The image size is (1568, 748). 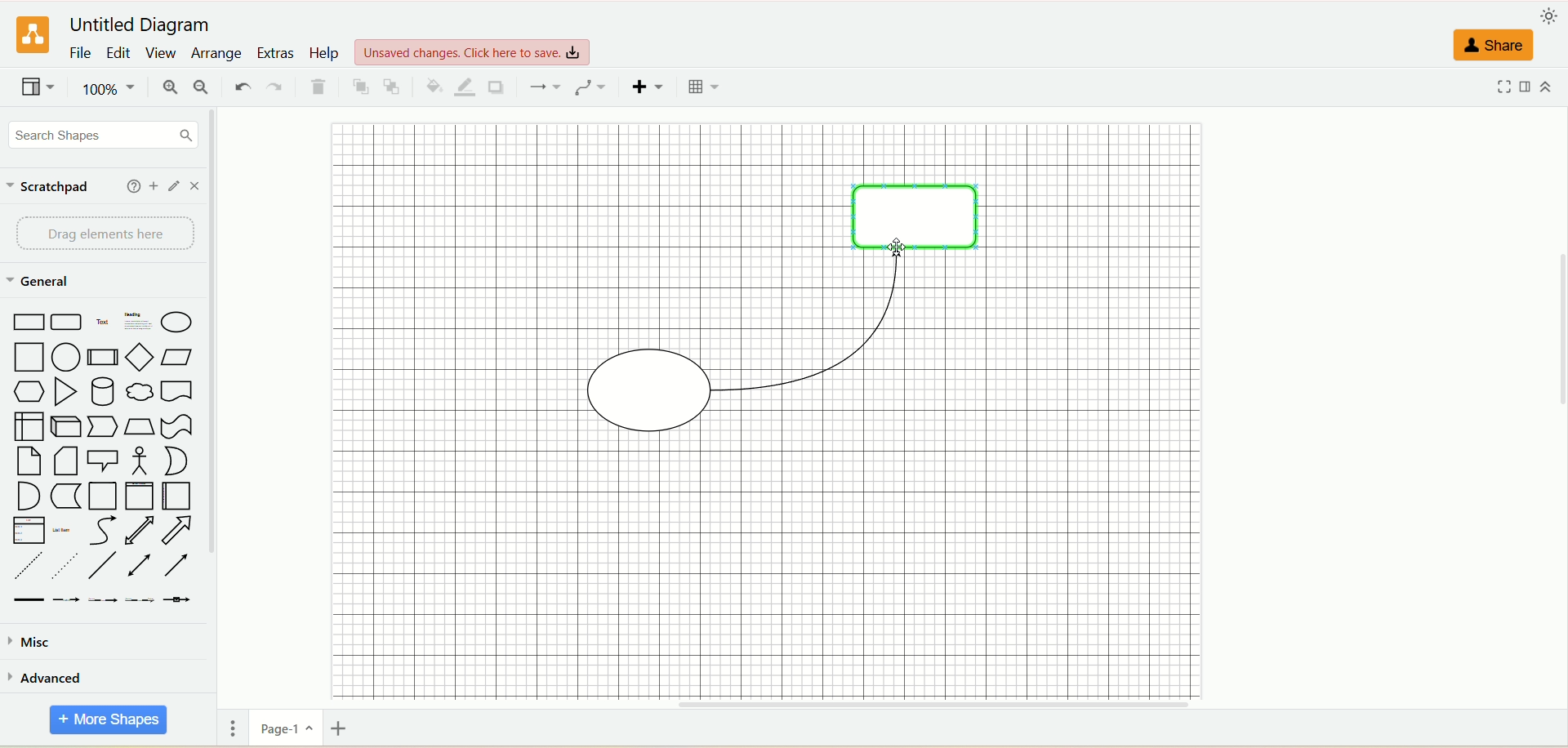 I want to click on to front, so click(x=359, y=87).